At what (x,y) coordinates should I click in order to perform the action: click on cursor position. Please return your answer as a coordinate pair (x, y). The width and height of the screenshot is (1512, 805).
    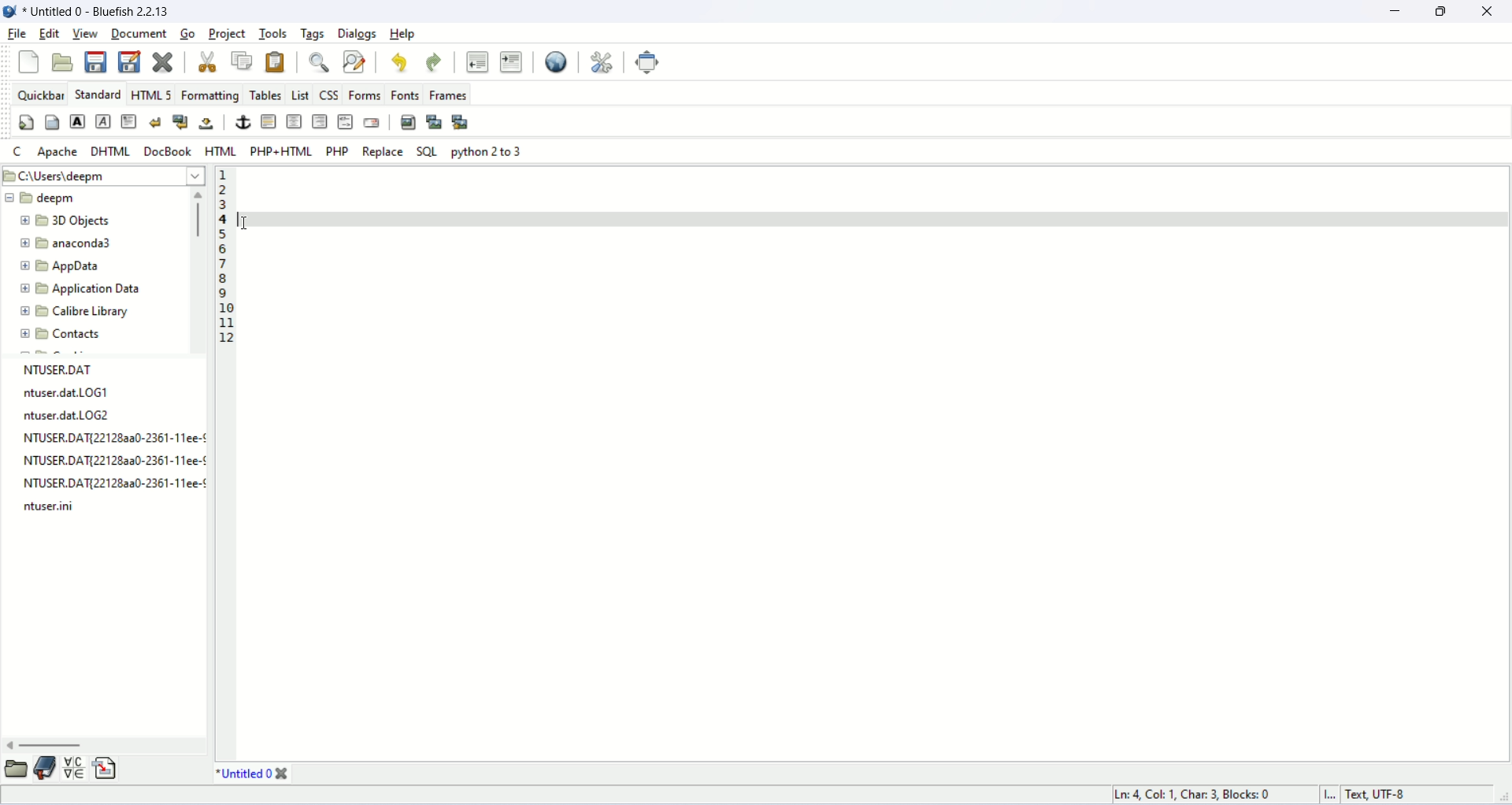
    Looking at the image, I should click on (1201, 794).